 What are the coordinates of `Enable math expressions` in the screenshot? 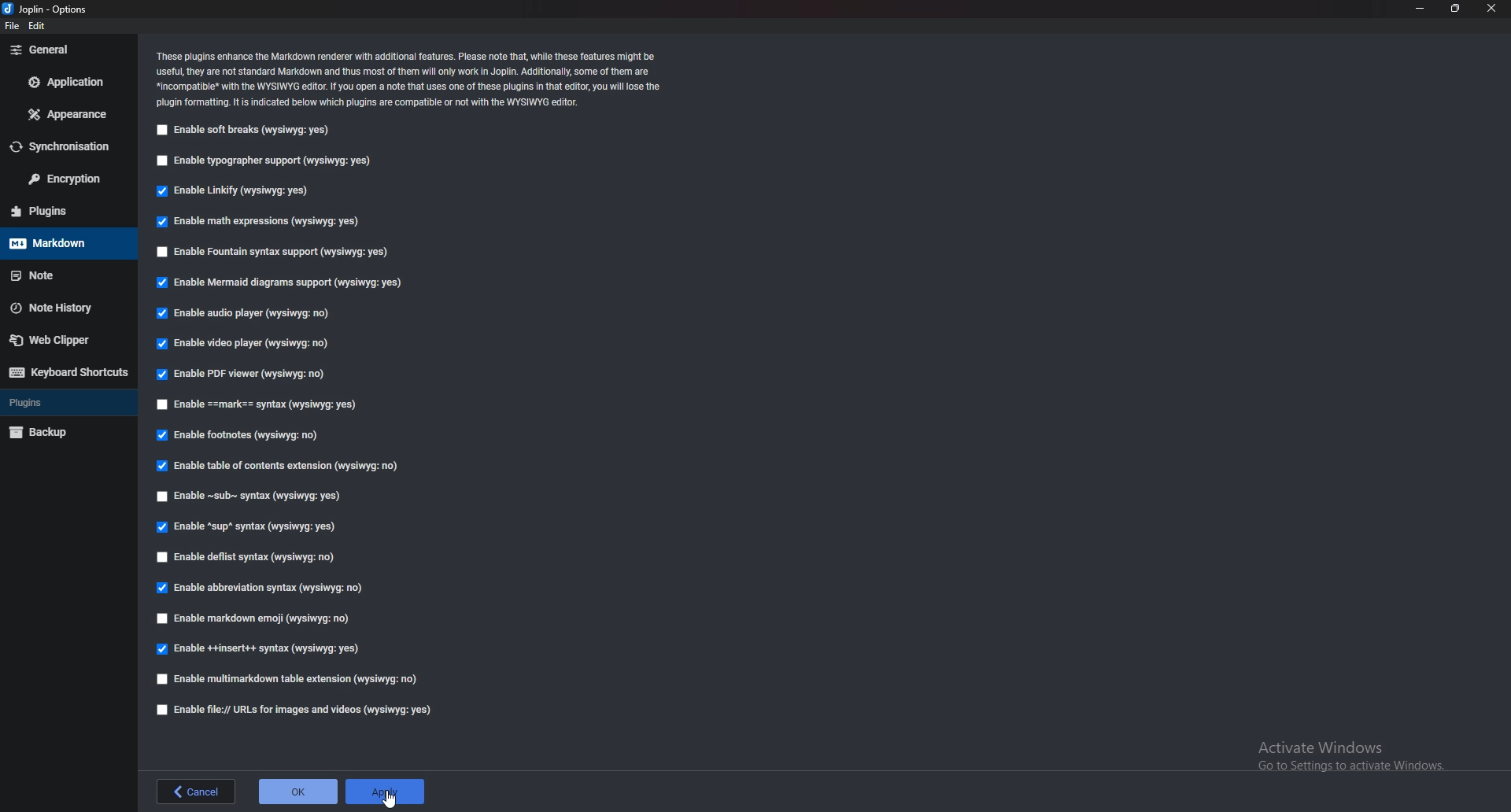 It's located at (275, 220).